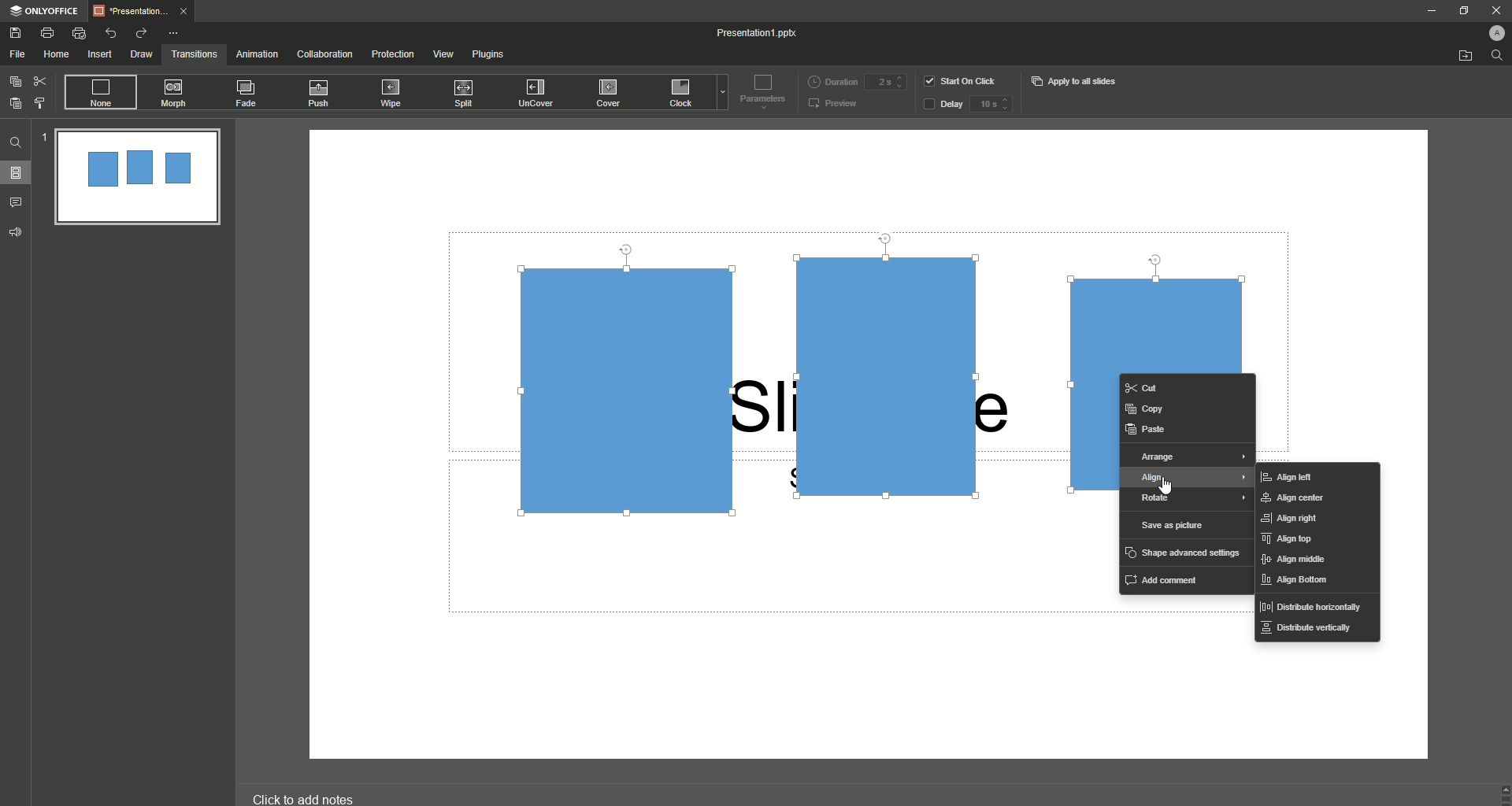 Image resolution: width=1512 pixels, height=806 pixels. I want to click on Comments, so click(19, 201).